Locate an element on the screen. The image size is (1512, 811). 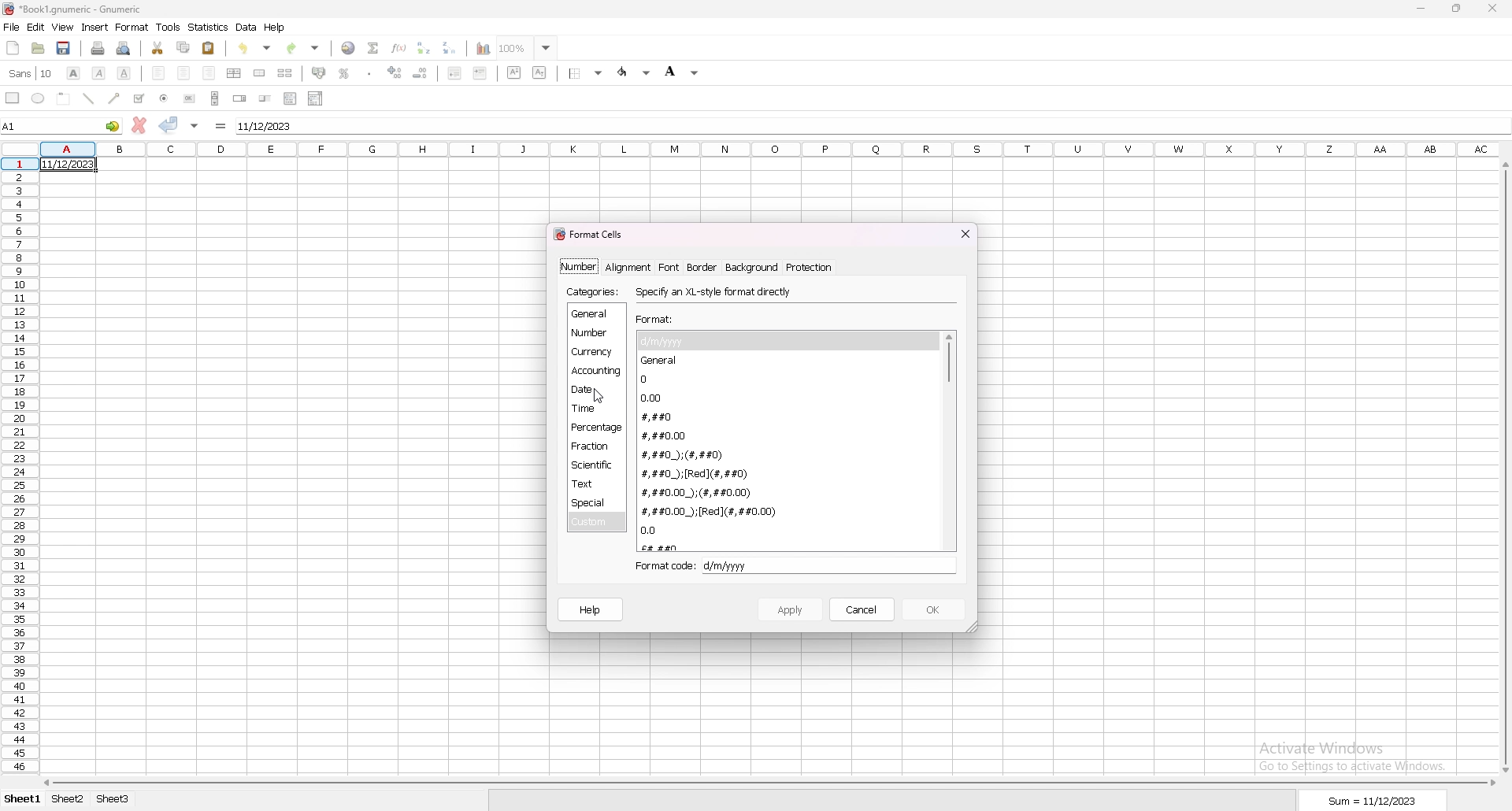
custom is located at coordinates (594, 523).